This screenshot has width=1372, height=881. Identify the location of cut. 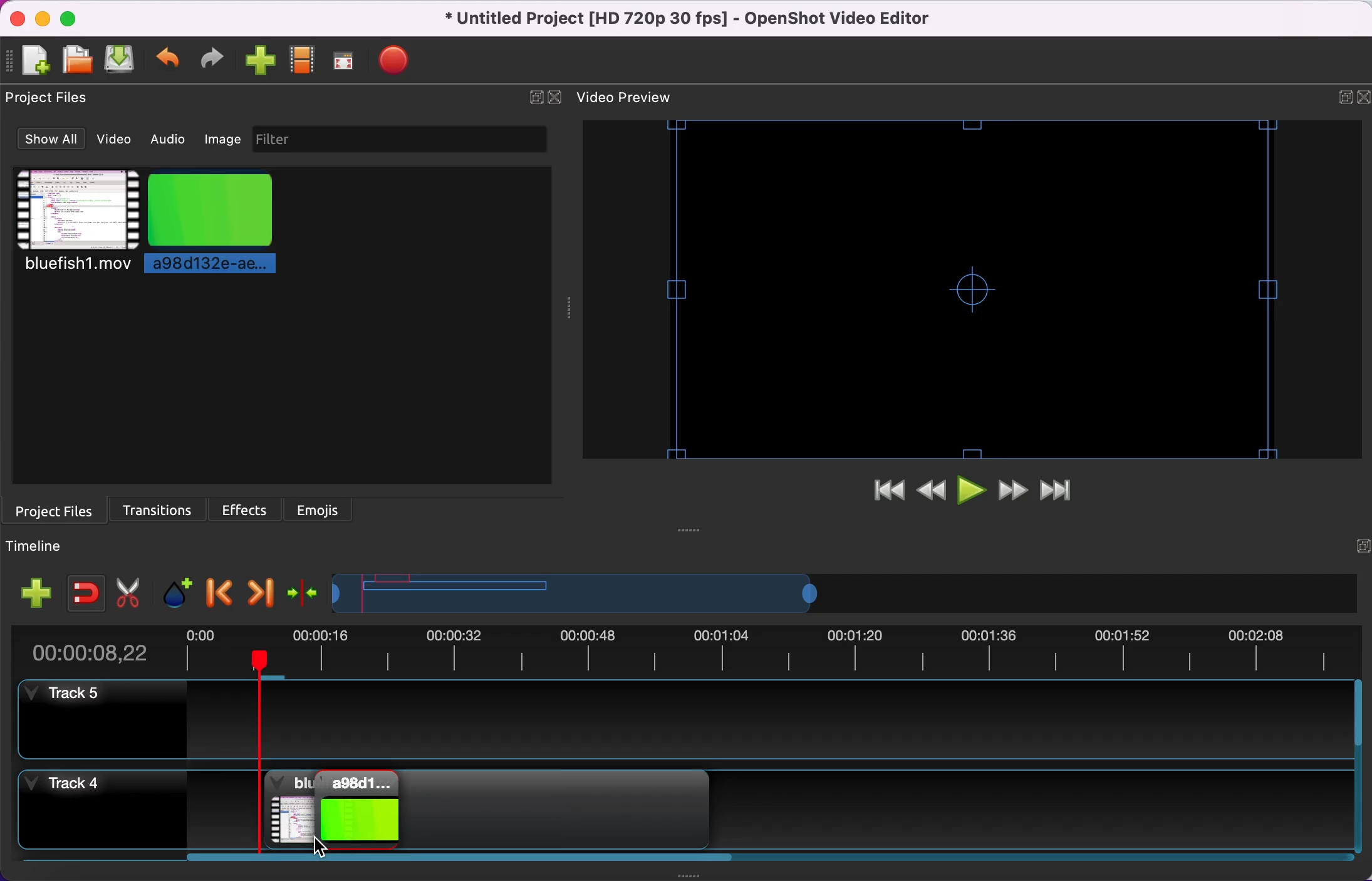
(130, 590).